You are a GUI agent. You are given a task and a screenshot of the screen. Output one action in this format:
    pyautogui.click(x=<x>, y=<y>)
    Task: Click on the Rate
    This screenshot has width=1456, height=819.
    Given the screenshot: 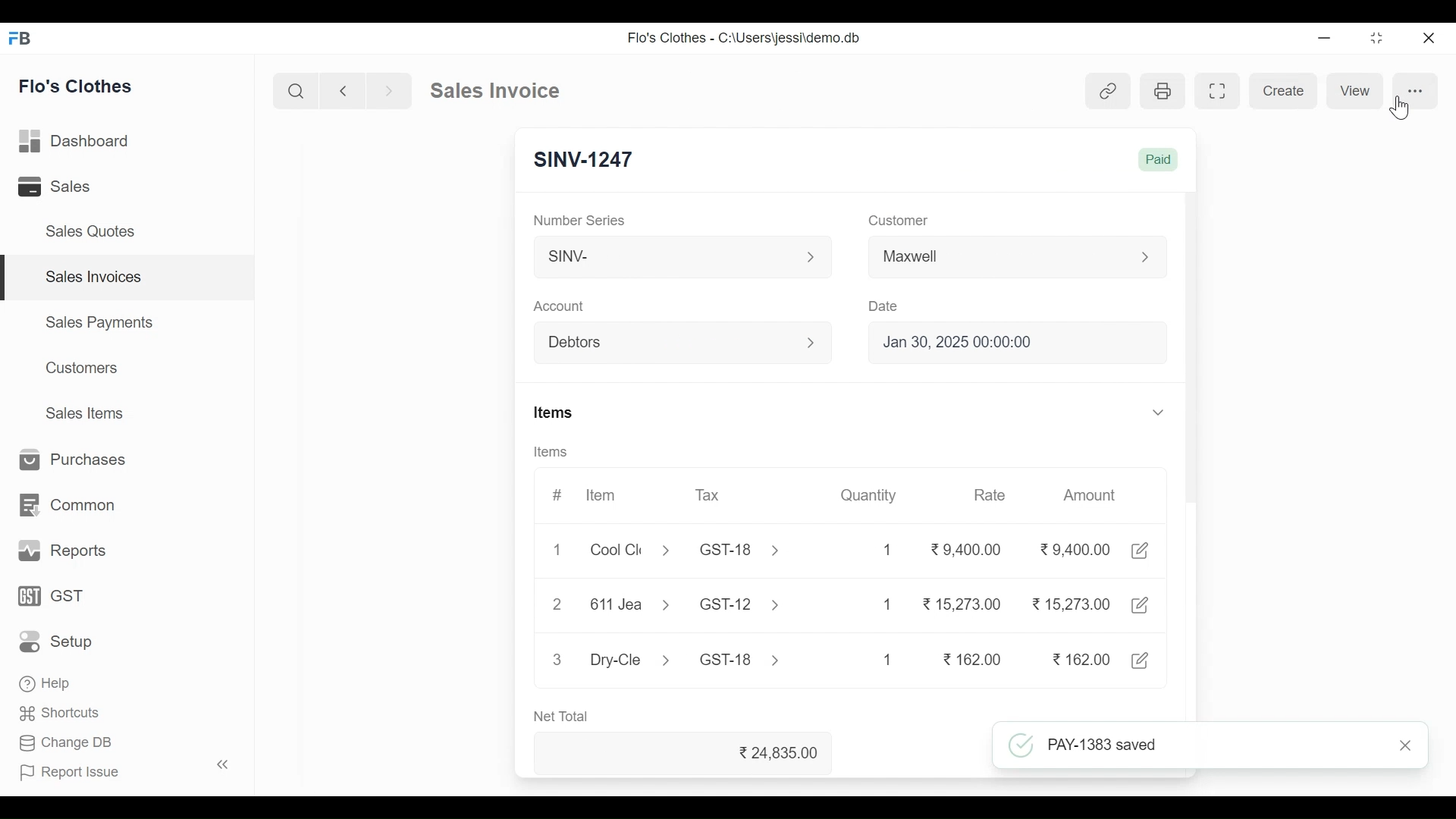 What is the action you would take?
    pyautogui.click(x=992, y=494)
    